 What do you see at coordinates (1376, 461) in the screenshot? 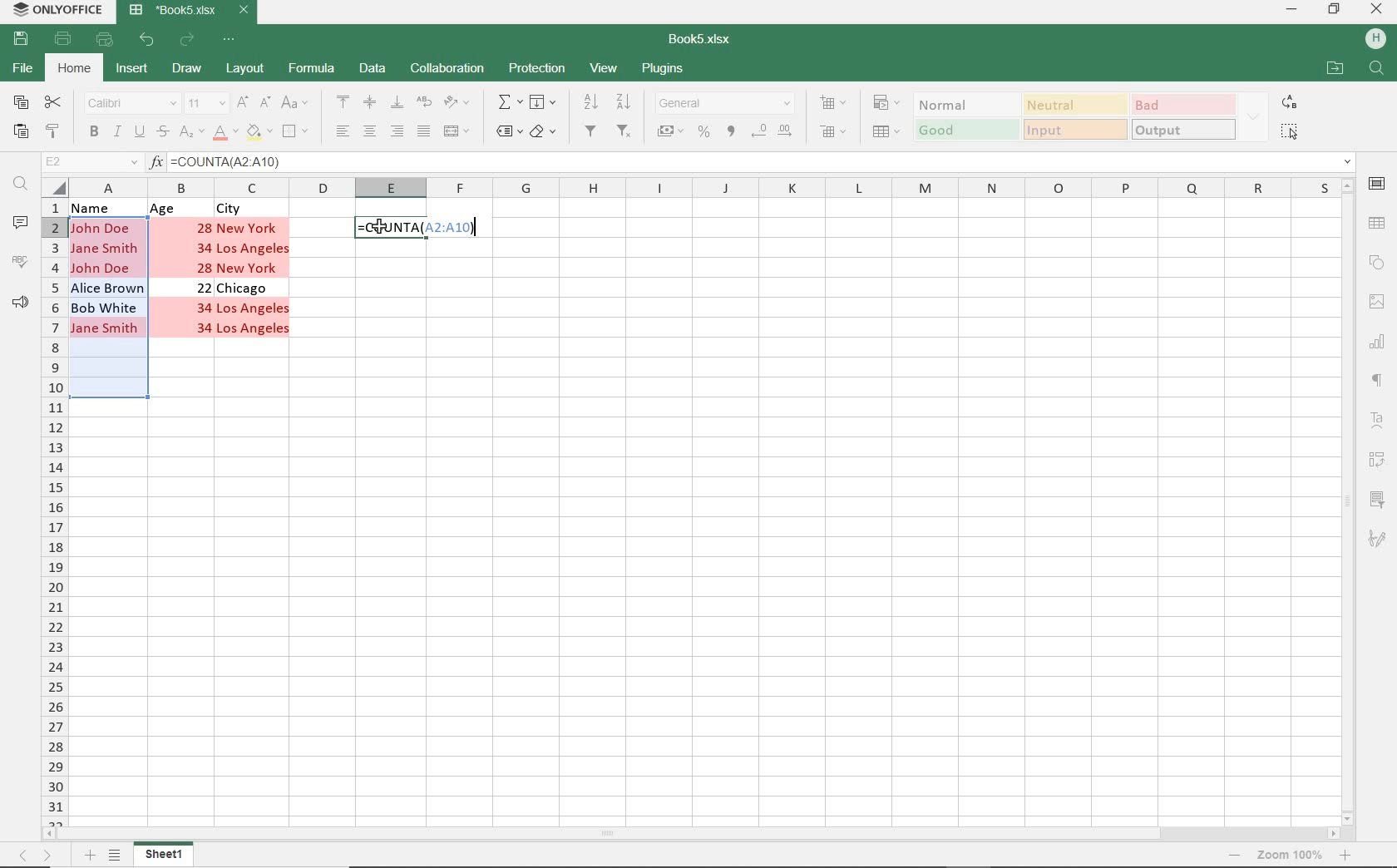
I see `PIVOT TABLE` at bounding box center [1376, 461].